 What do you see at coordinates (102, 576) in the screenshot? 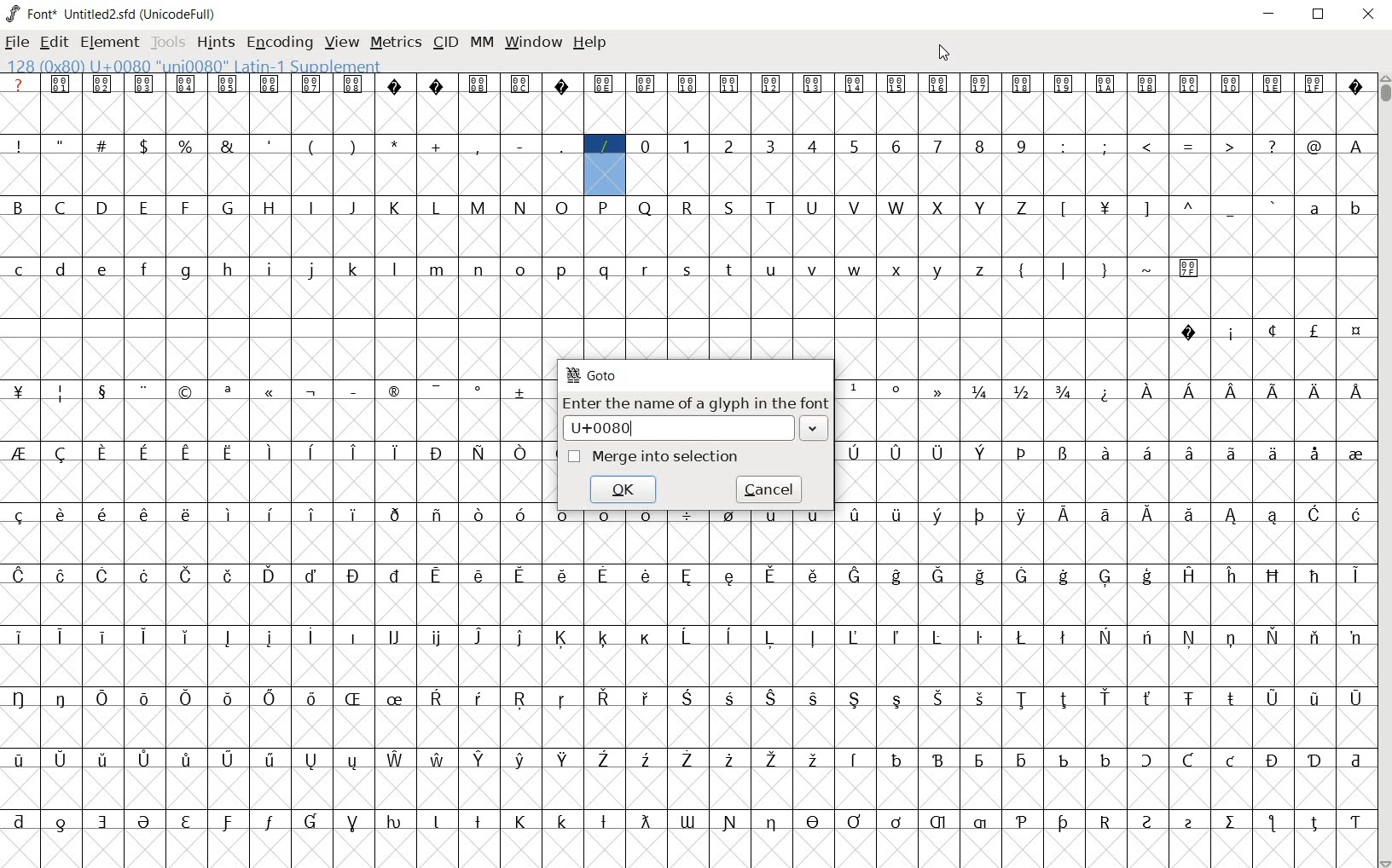
I see `glyph` at bounding box center [102, 576].